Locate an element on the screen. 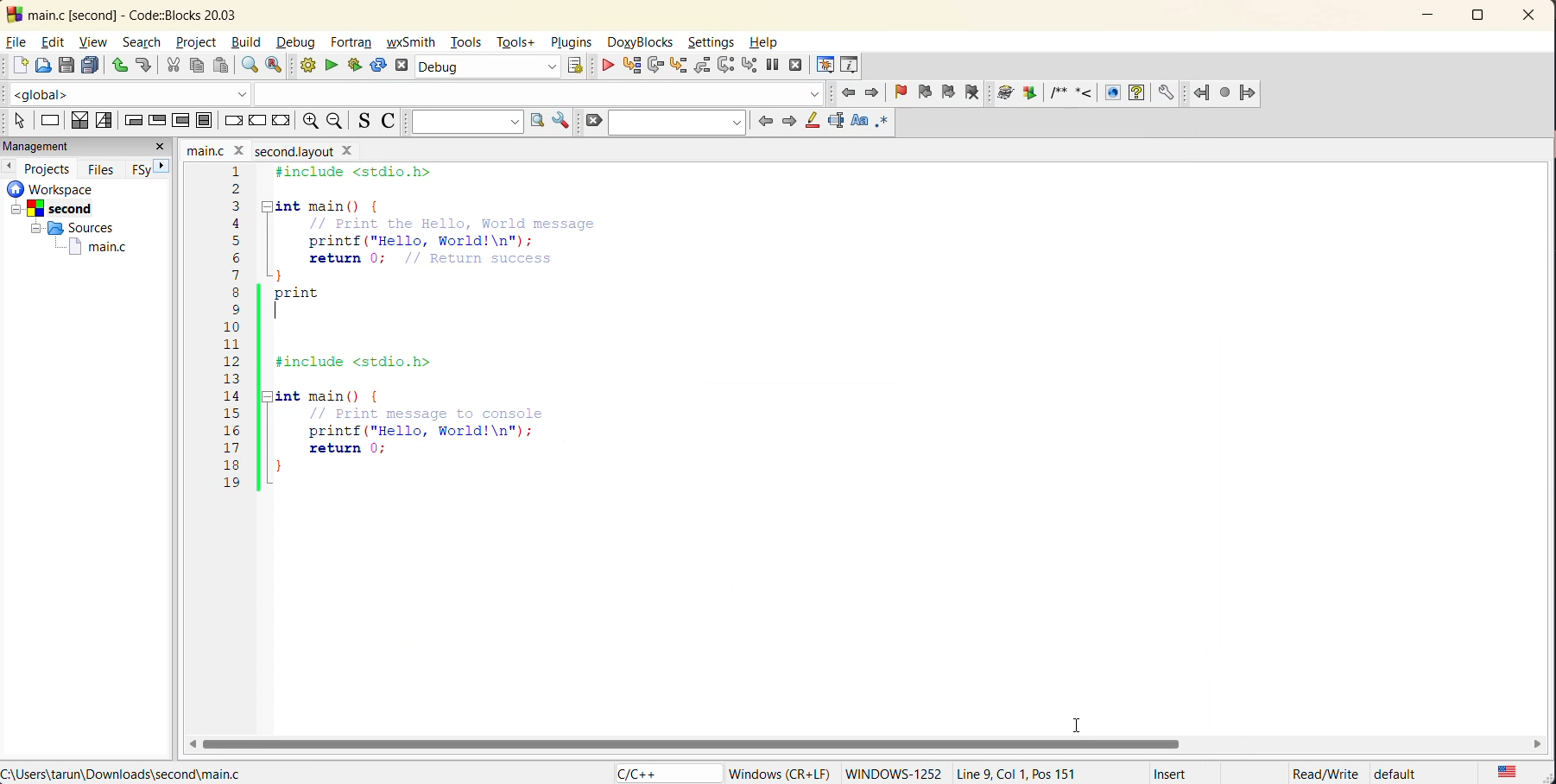 This screenshot has height=784, width=1556. undo is located at coordinates (117, 64).